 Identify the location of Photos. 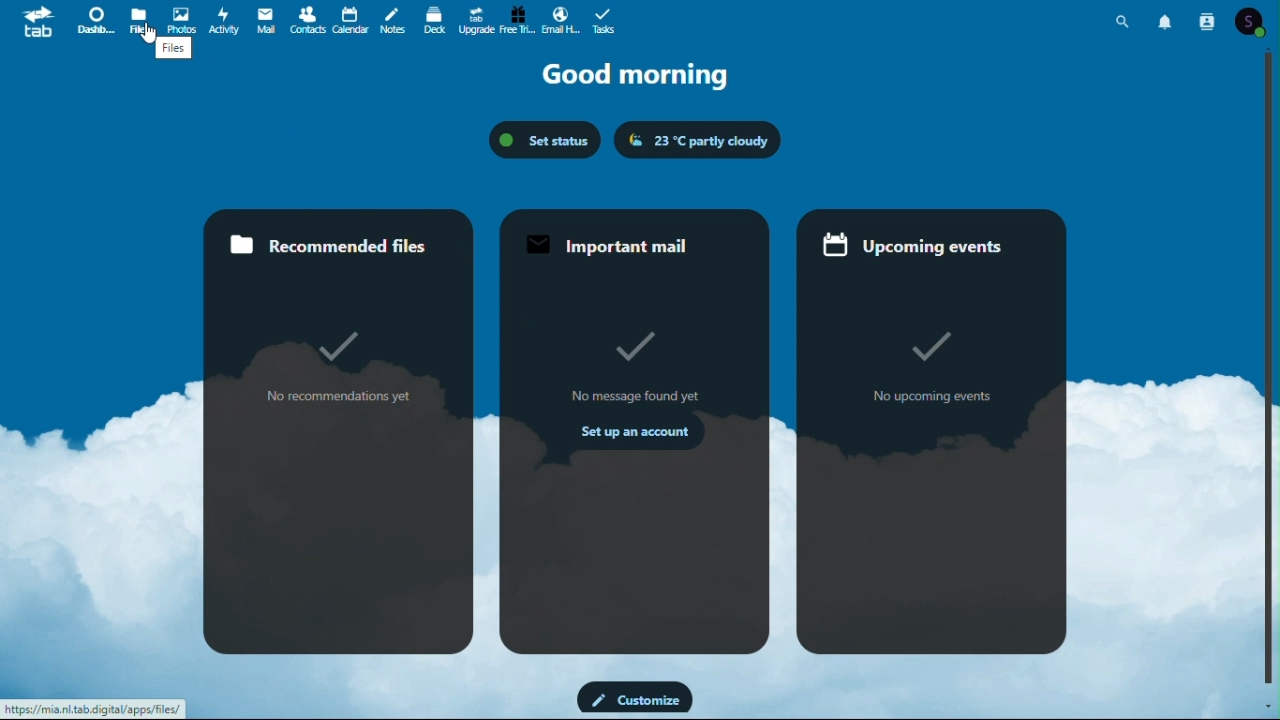
(181, 19).